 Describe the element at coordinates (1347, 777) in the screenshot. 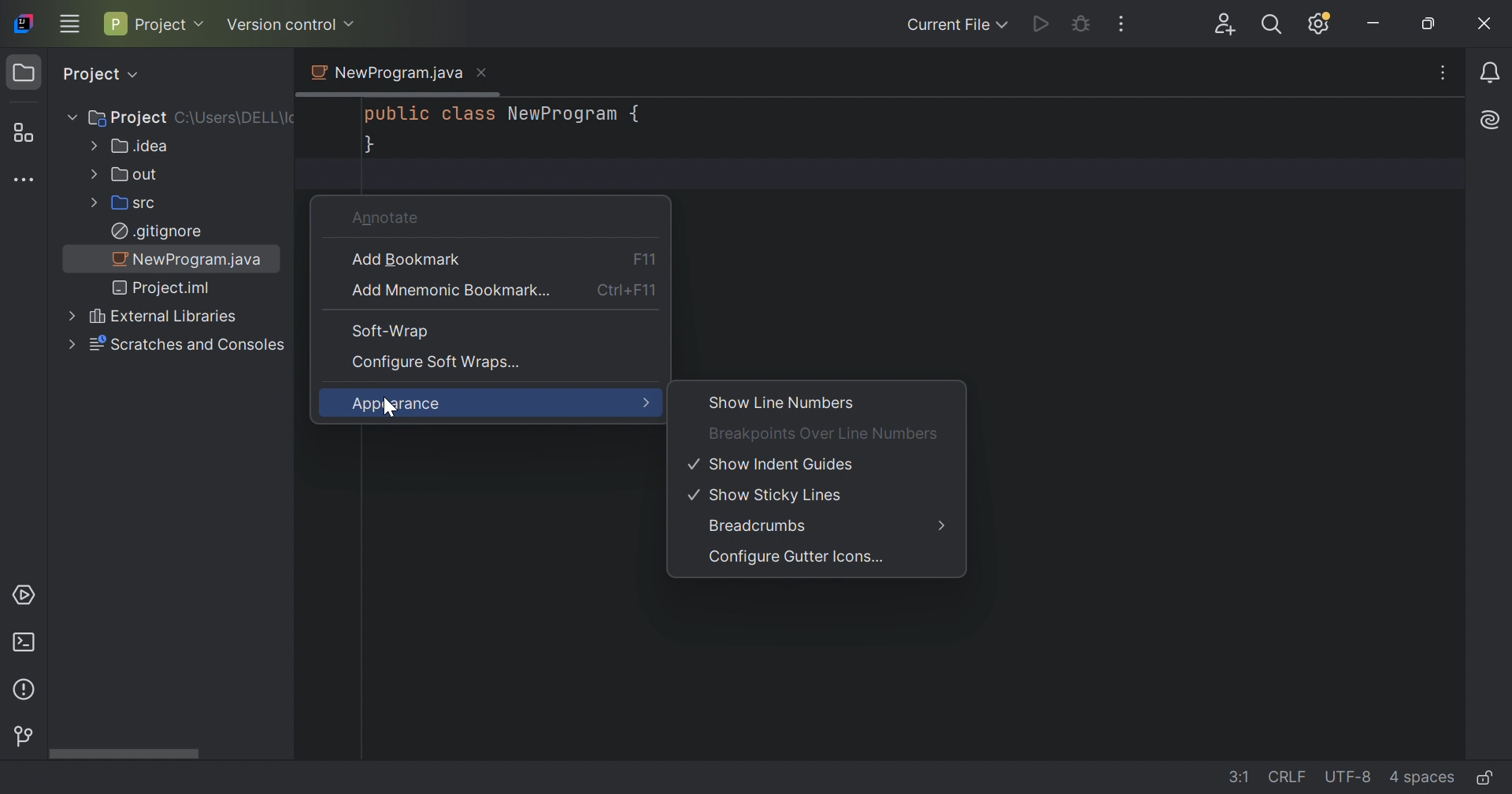

I see `UTF-8` at that location.